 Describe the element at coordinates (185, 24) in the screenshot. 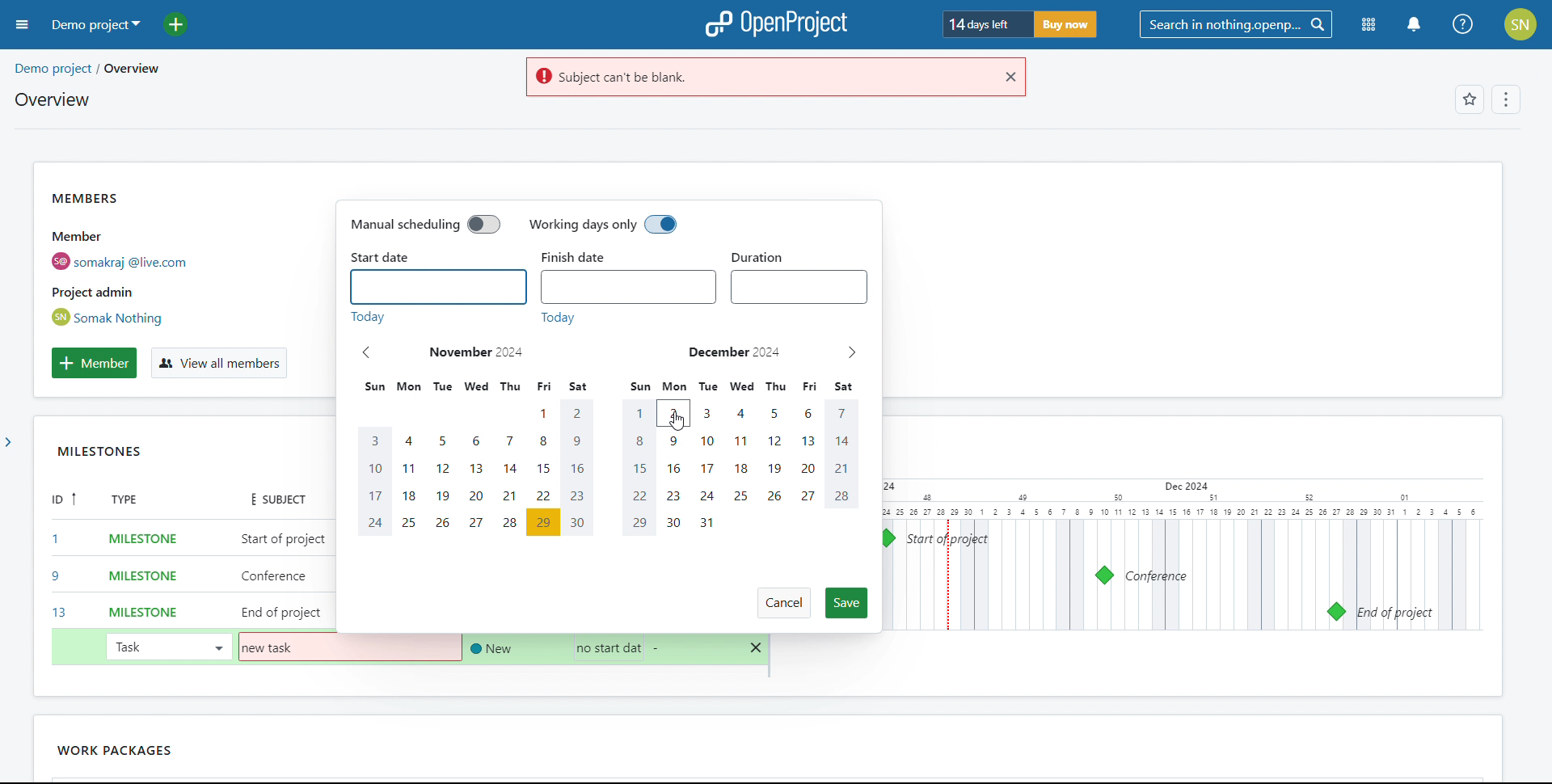

I see `add project` at that location.